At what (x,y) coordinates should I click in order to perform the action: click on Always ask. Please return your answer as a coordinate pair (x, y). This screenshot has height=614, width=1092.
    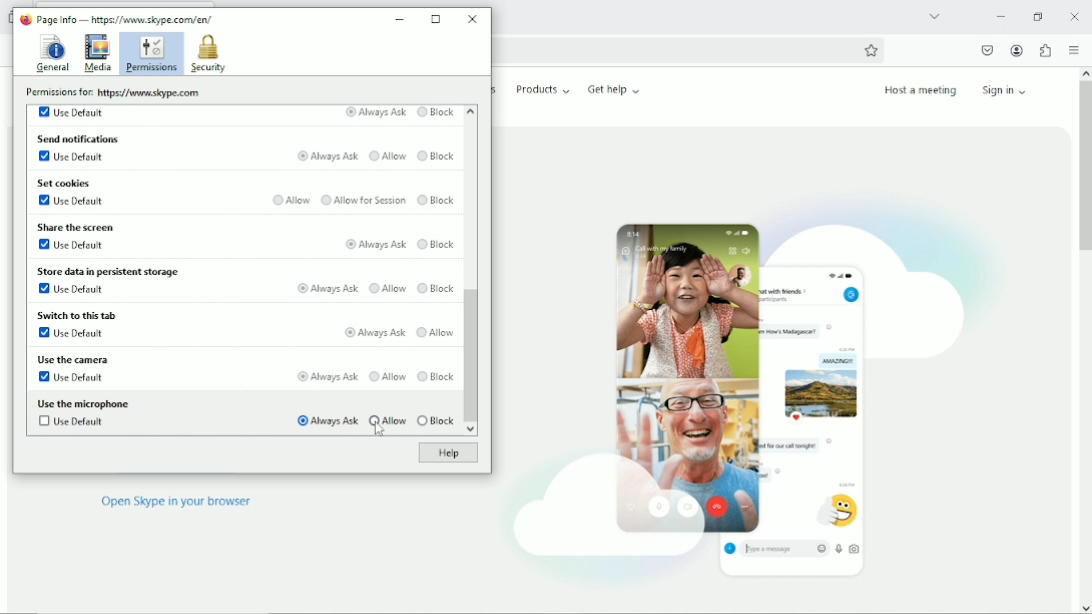
    Looking at the image, I should click on (324, 376).